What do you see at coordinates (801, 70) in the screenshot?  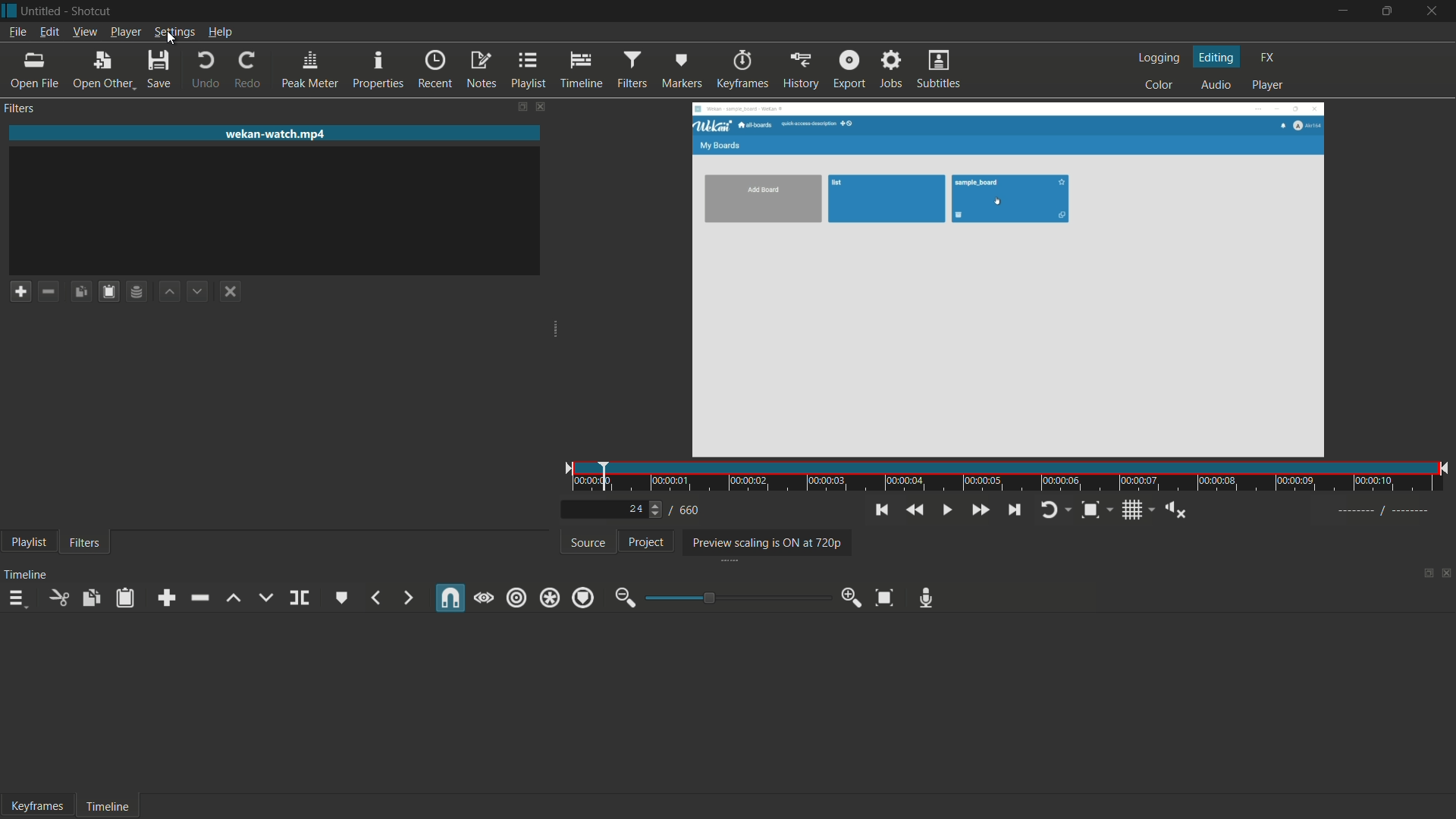 I see `history` at bounding box center [801, 70].